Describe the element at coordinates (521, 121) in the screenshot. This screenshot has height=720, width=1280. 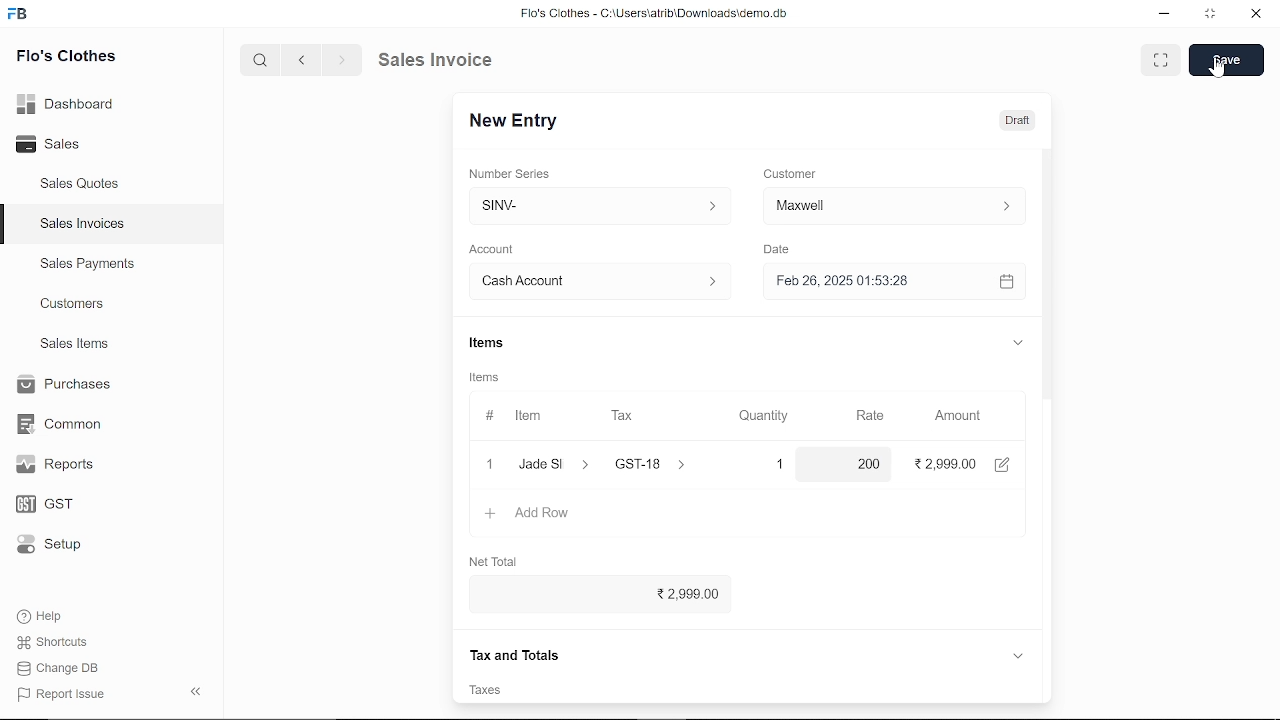
I see `New Entry` at that location.